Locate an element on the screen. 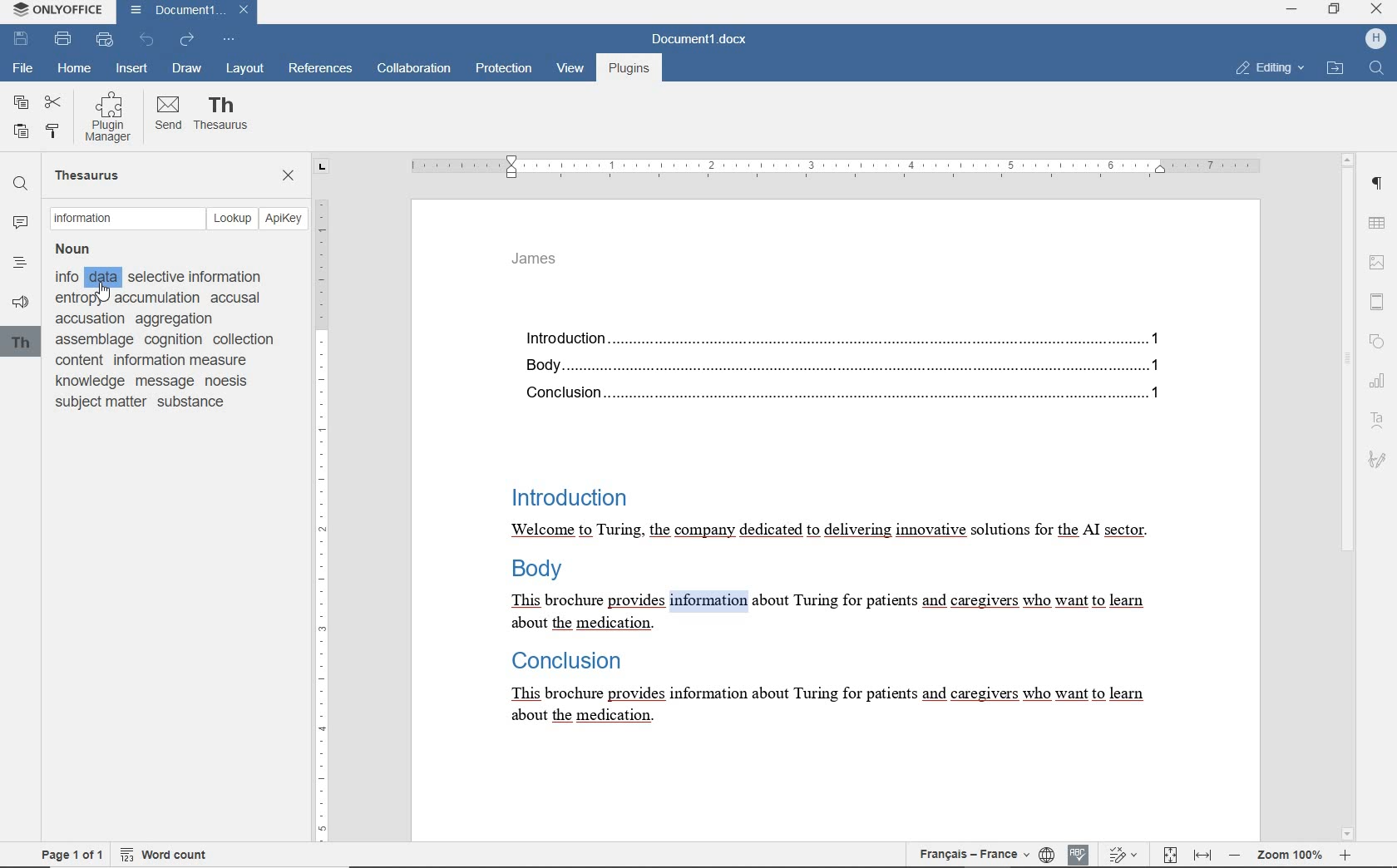 This screenshot has height=868, width=1397. Conclusion is located at coordinates (569, 662).